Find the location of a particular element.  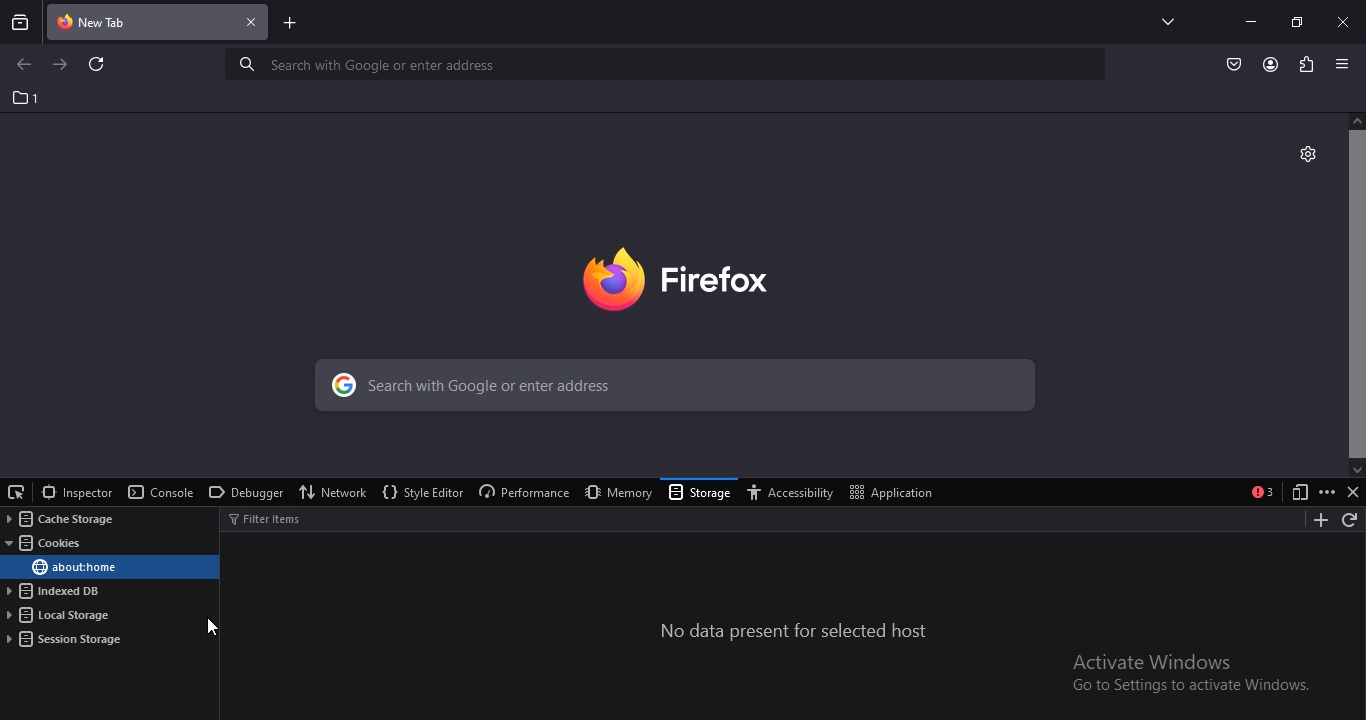

account is located at coordinates (1271, 65).